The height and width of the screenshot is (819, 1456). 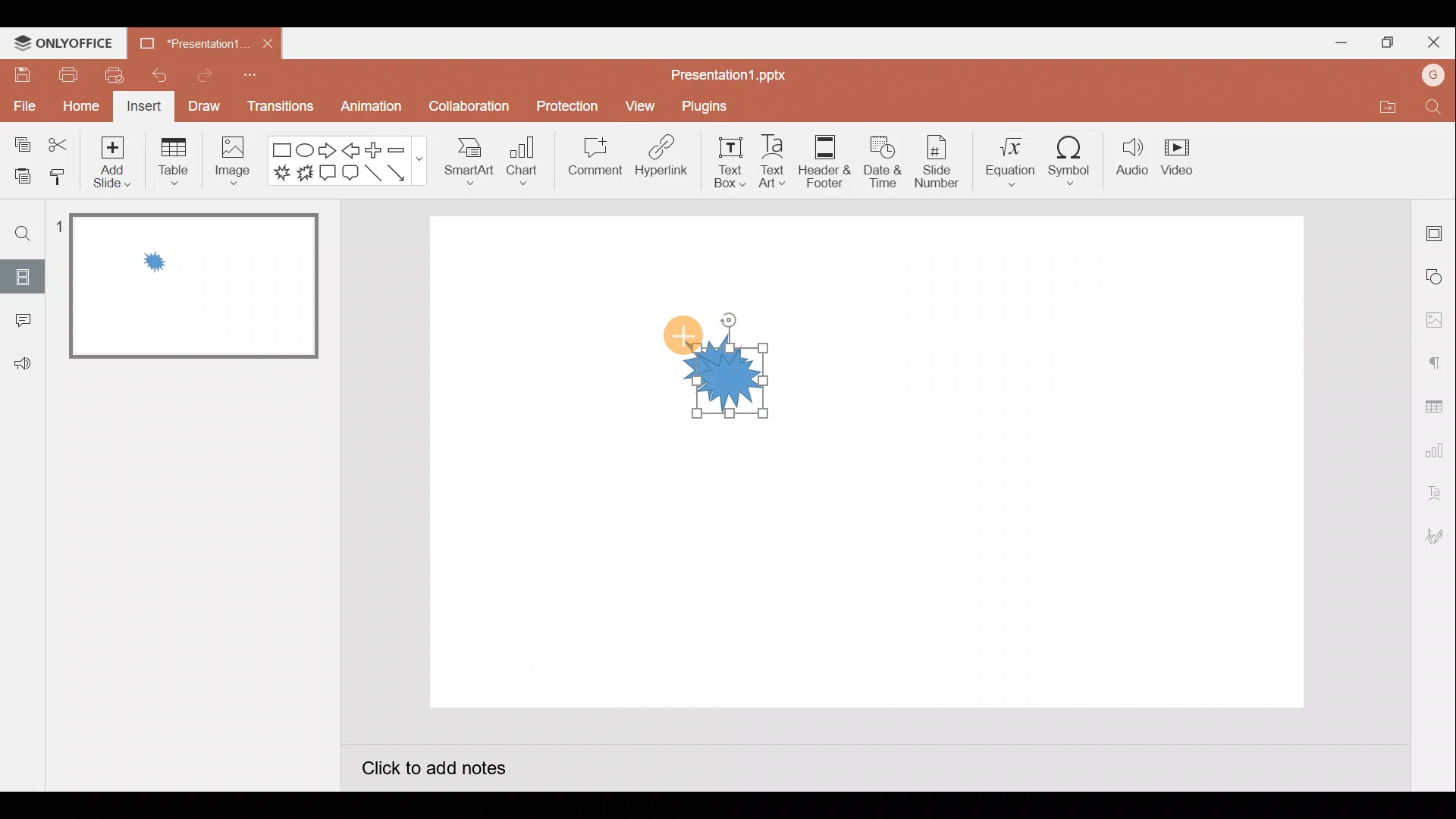 What do you see at coordinates (682, 334) in the screenshot?
I see `Cursor` at bounding box center [682, 334].